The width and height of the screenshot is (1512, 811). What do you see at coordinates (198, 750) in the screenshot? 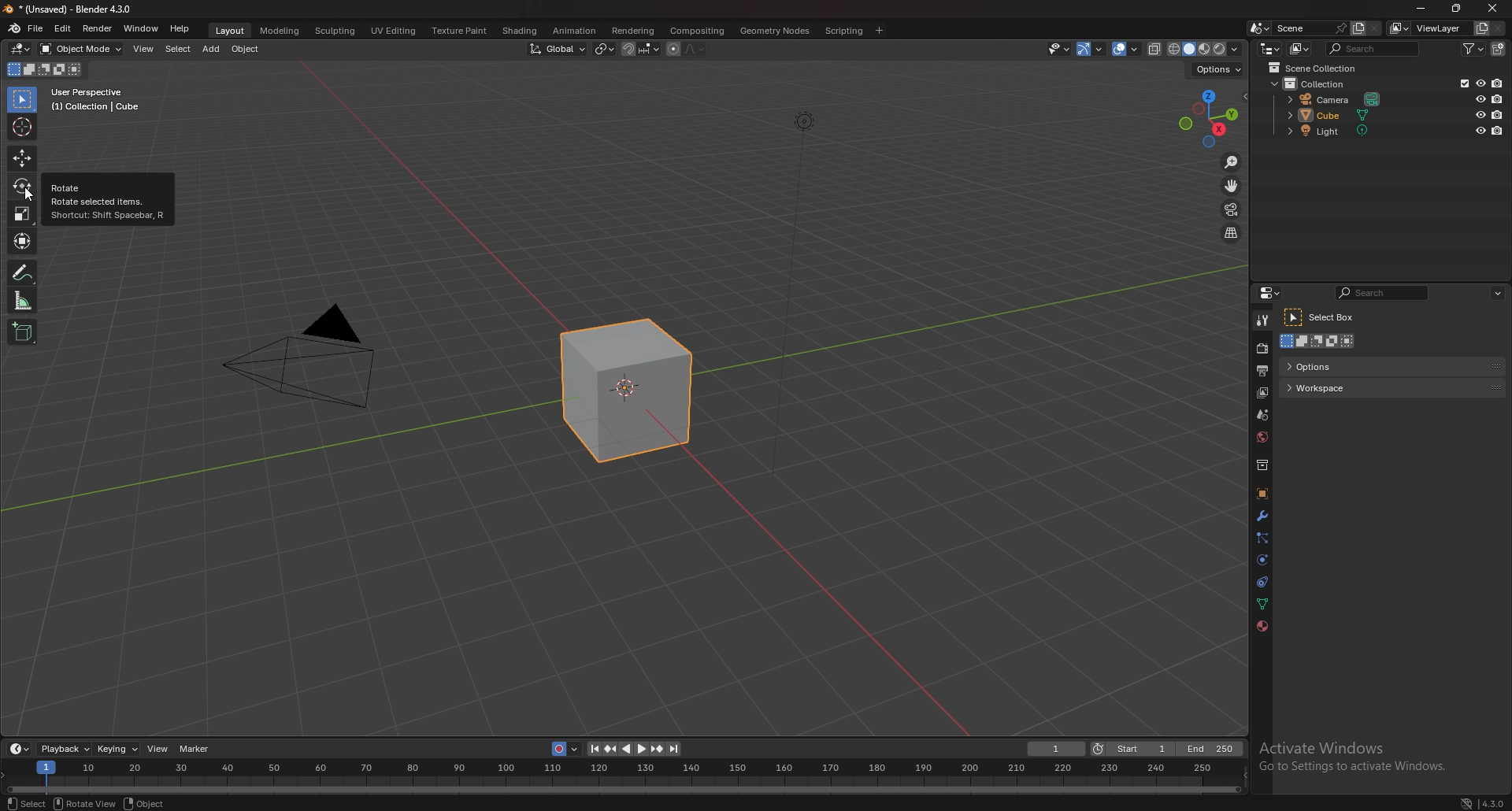
I see `marker` at bounding box center [198, 750].